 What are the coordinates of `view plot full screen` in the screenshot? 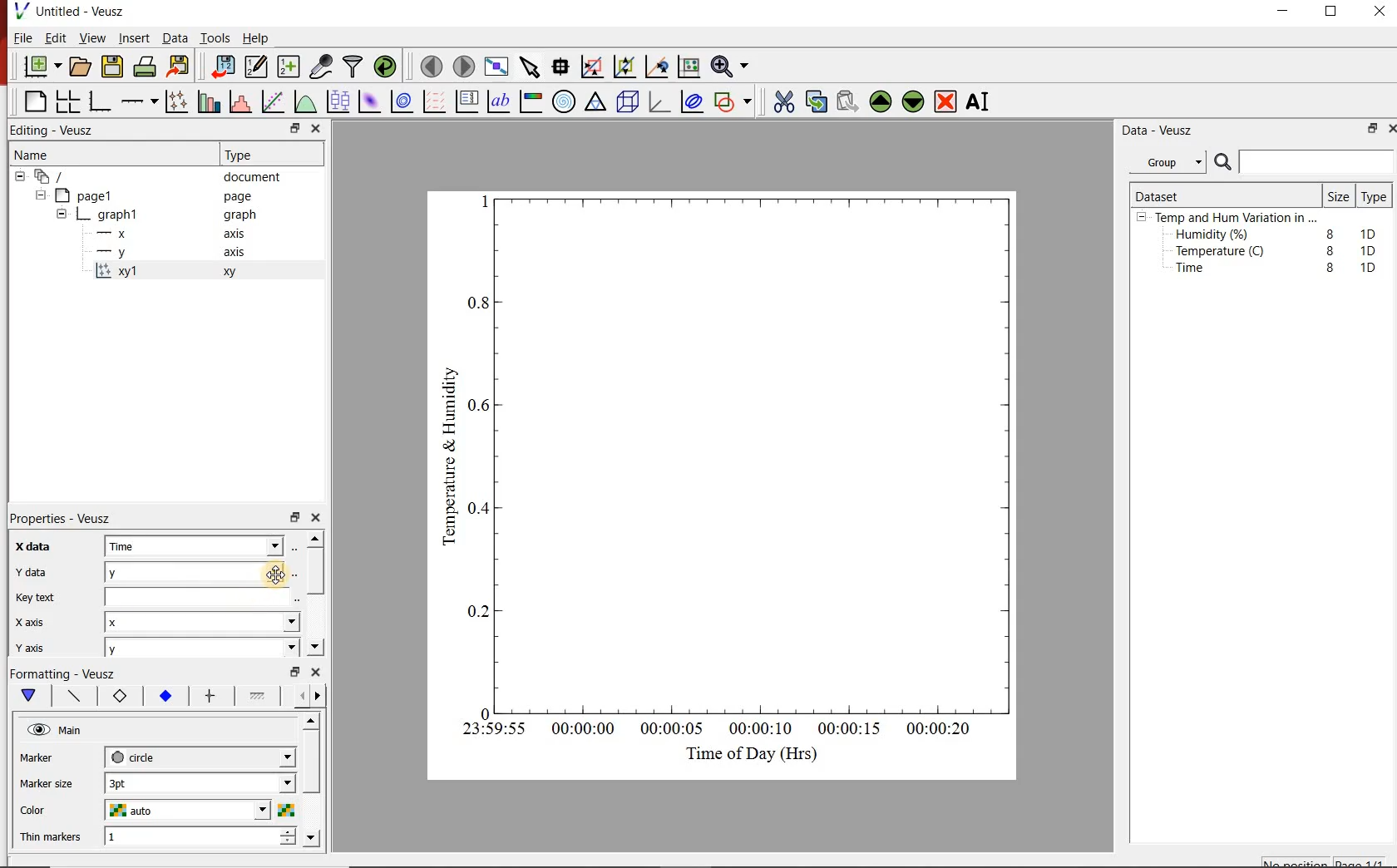 It's located at (497, 67).